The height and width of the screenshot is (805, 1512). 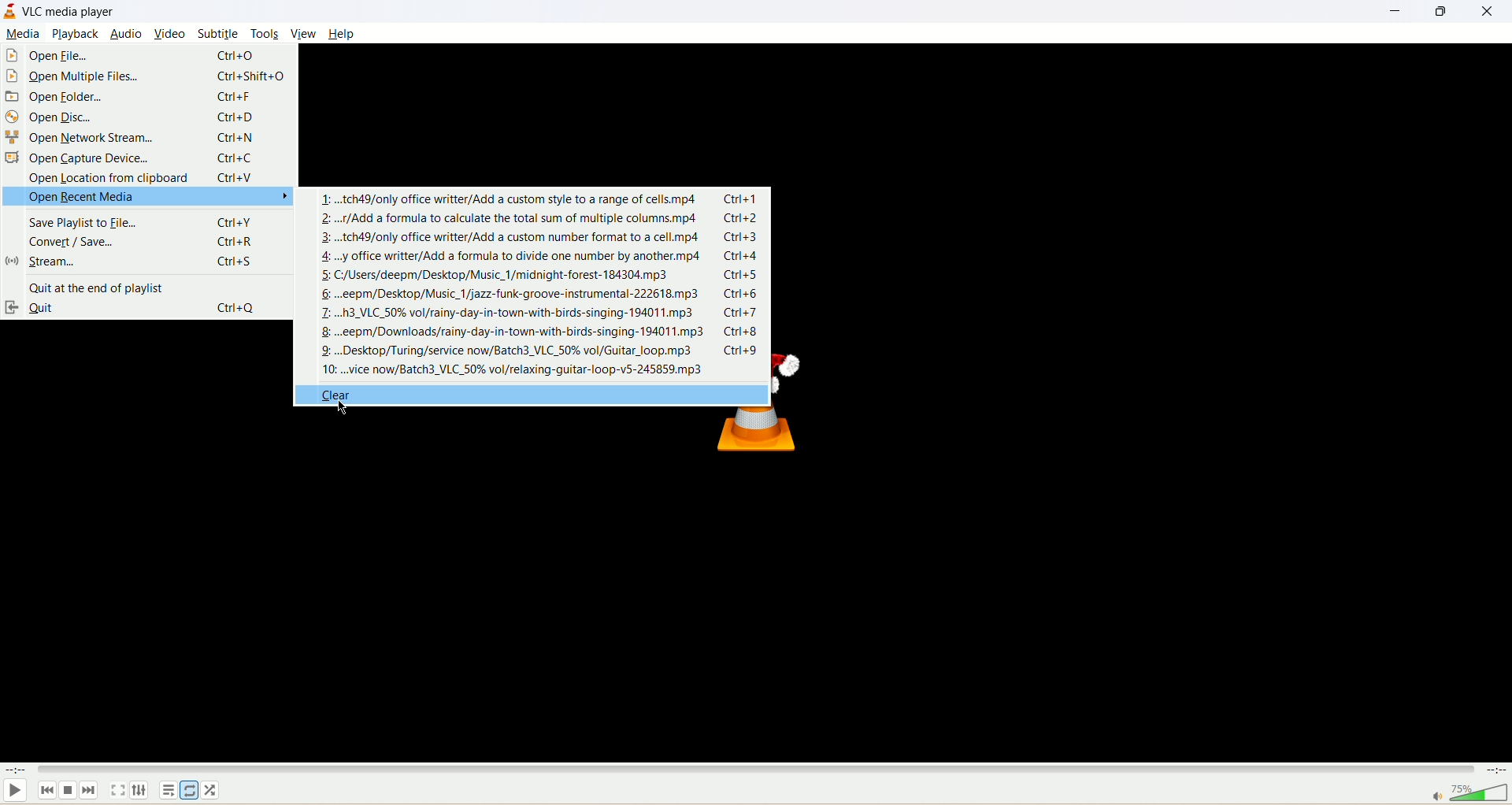 What do you see at coordinates (106, 240) in the screenshot?
I see `convert/save...` at bounding box center [106, 240].